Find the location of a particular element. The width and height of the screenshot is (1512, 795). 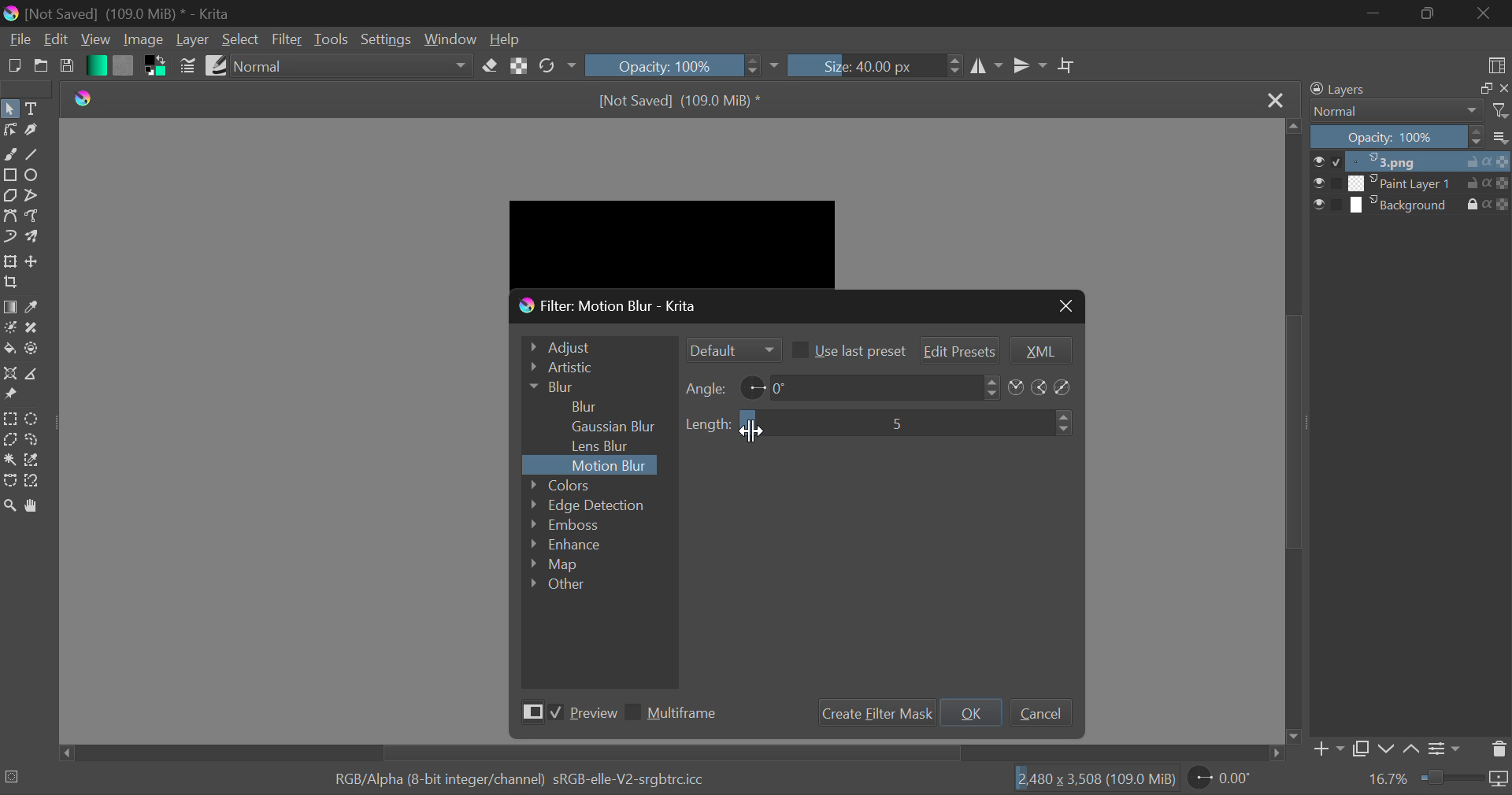

Rectangle is located at coordinates (9, 174).